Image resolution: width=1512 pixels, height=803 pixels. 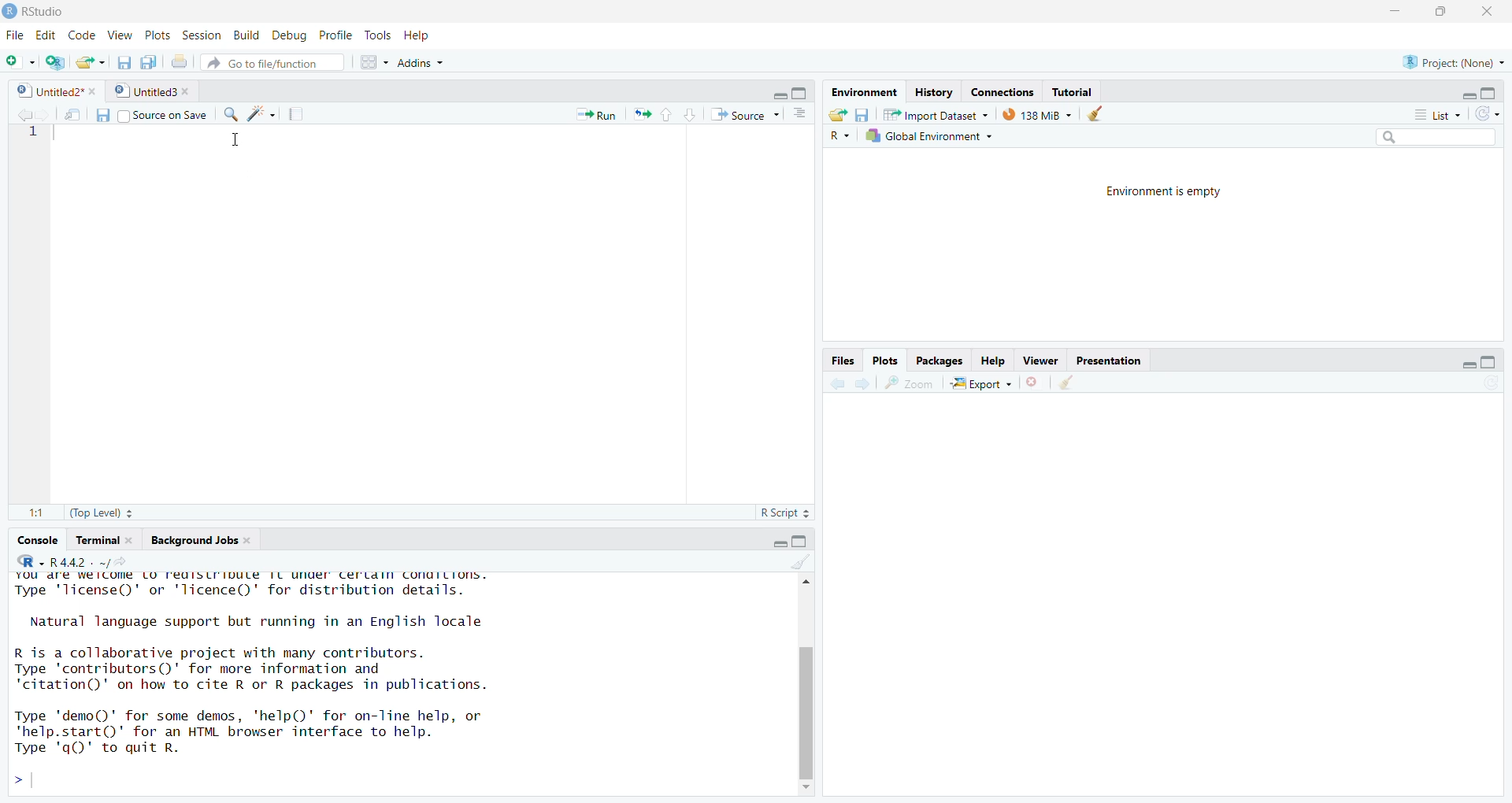 I want to click on Environment is empty, so click(x=1168, y=246).